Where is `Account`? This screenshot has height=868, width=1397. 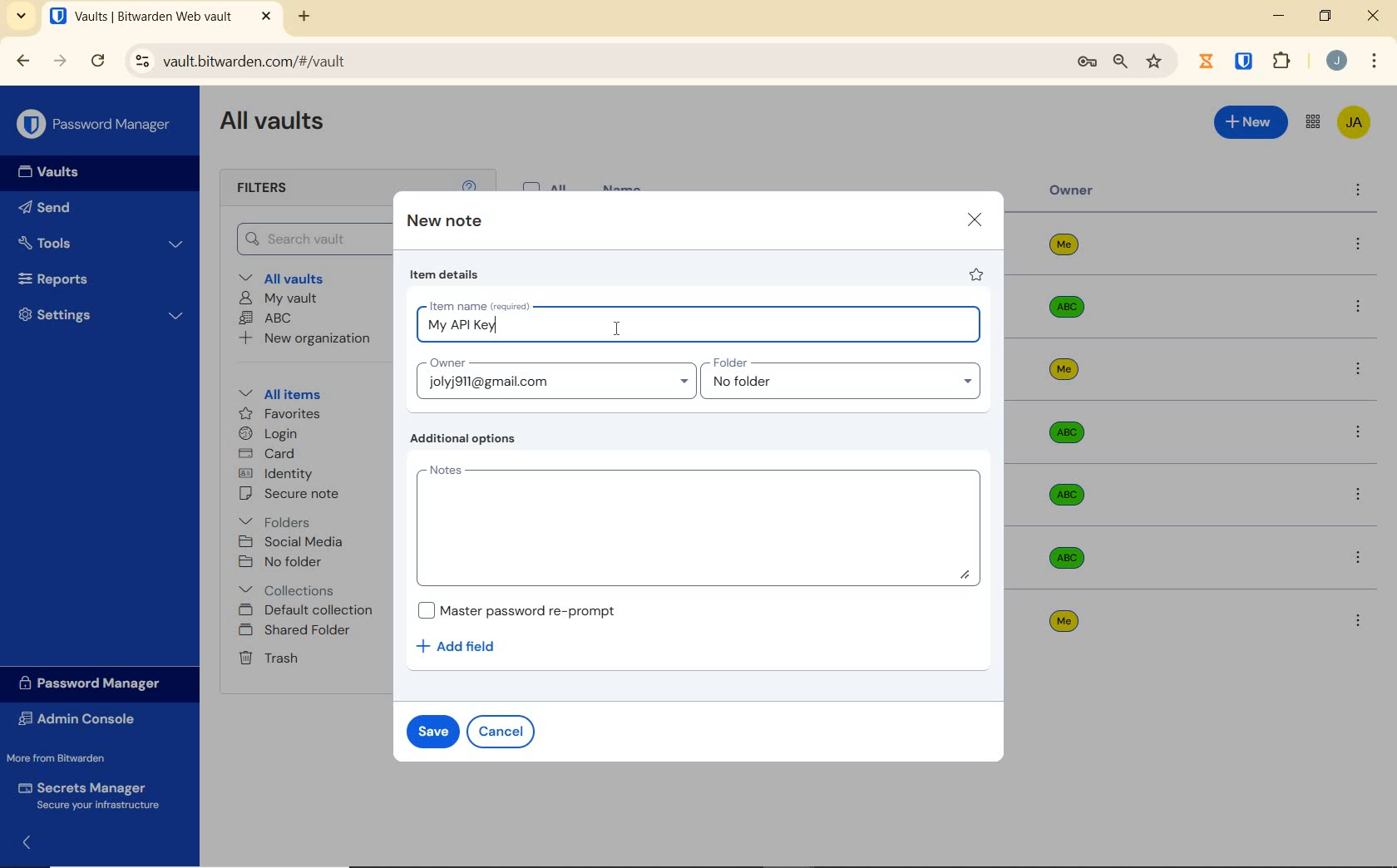 Account is located at coordinates (1337, 62).